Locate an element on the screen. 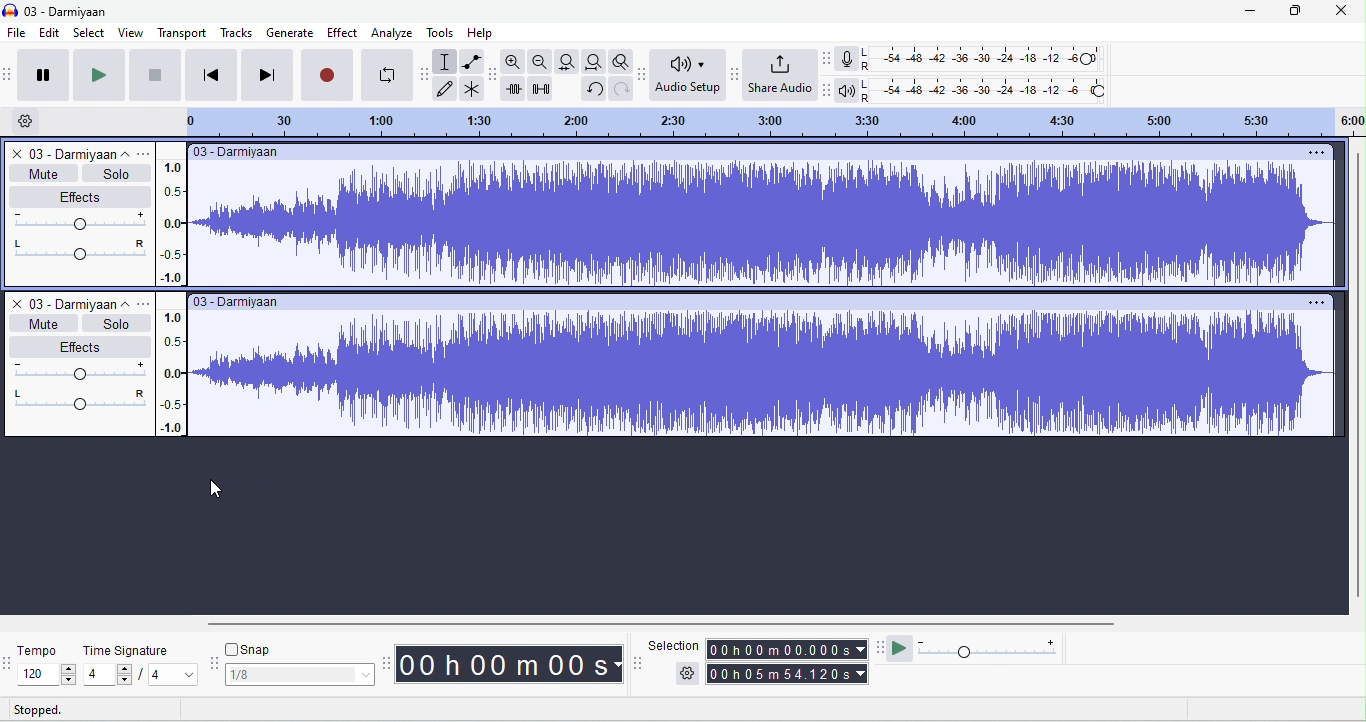 The image size is (1366, 722). play at speed tool bar is located at coordinates (881, 645).